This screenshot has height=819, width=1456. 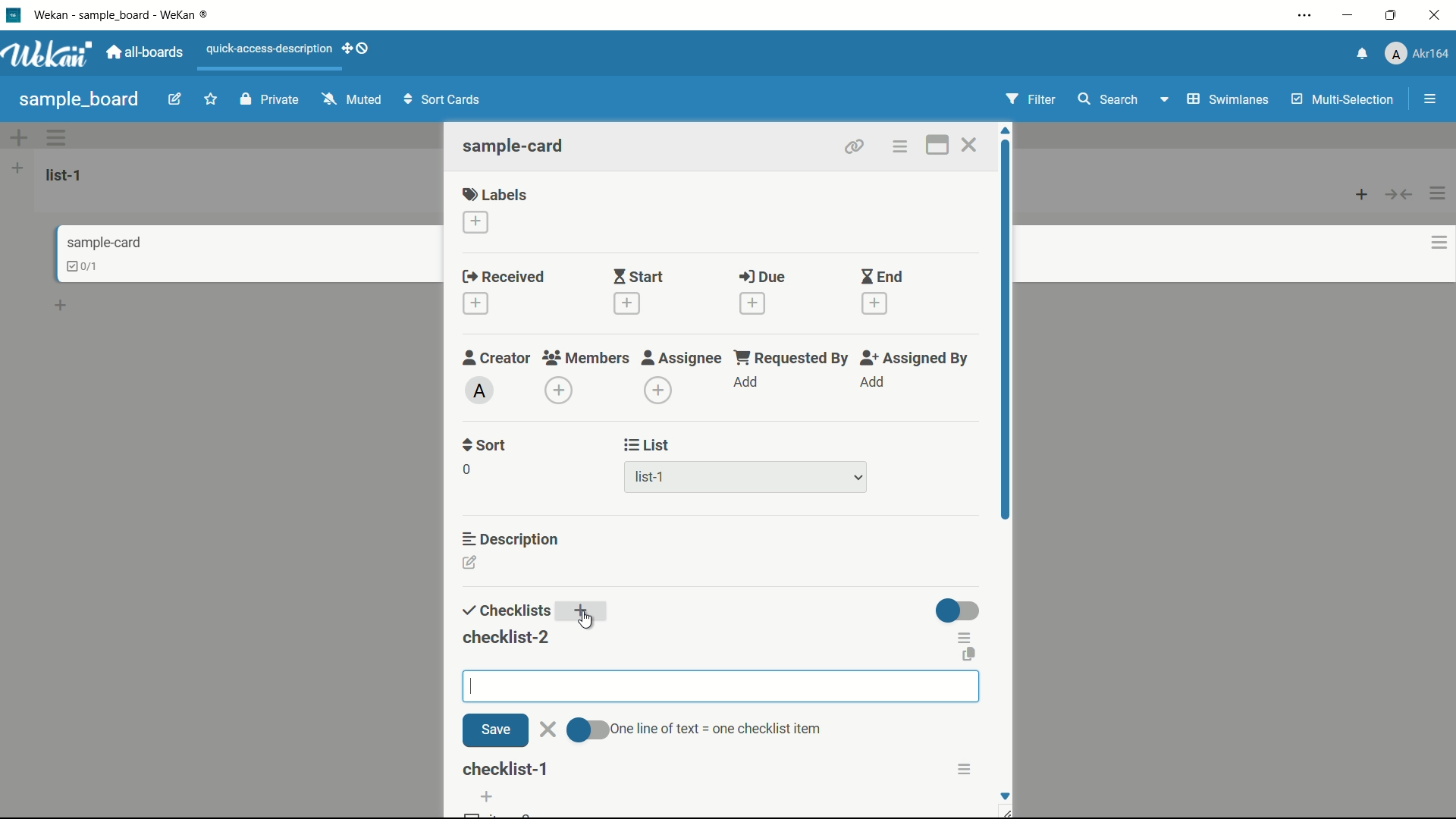 What do you see at coordinates (966, 635) in the screenshot?
I see `checklist actions` at bounding box center [966, 635].